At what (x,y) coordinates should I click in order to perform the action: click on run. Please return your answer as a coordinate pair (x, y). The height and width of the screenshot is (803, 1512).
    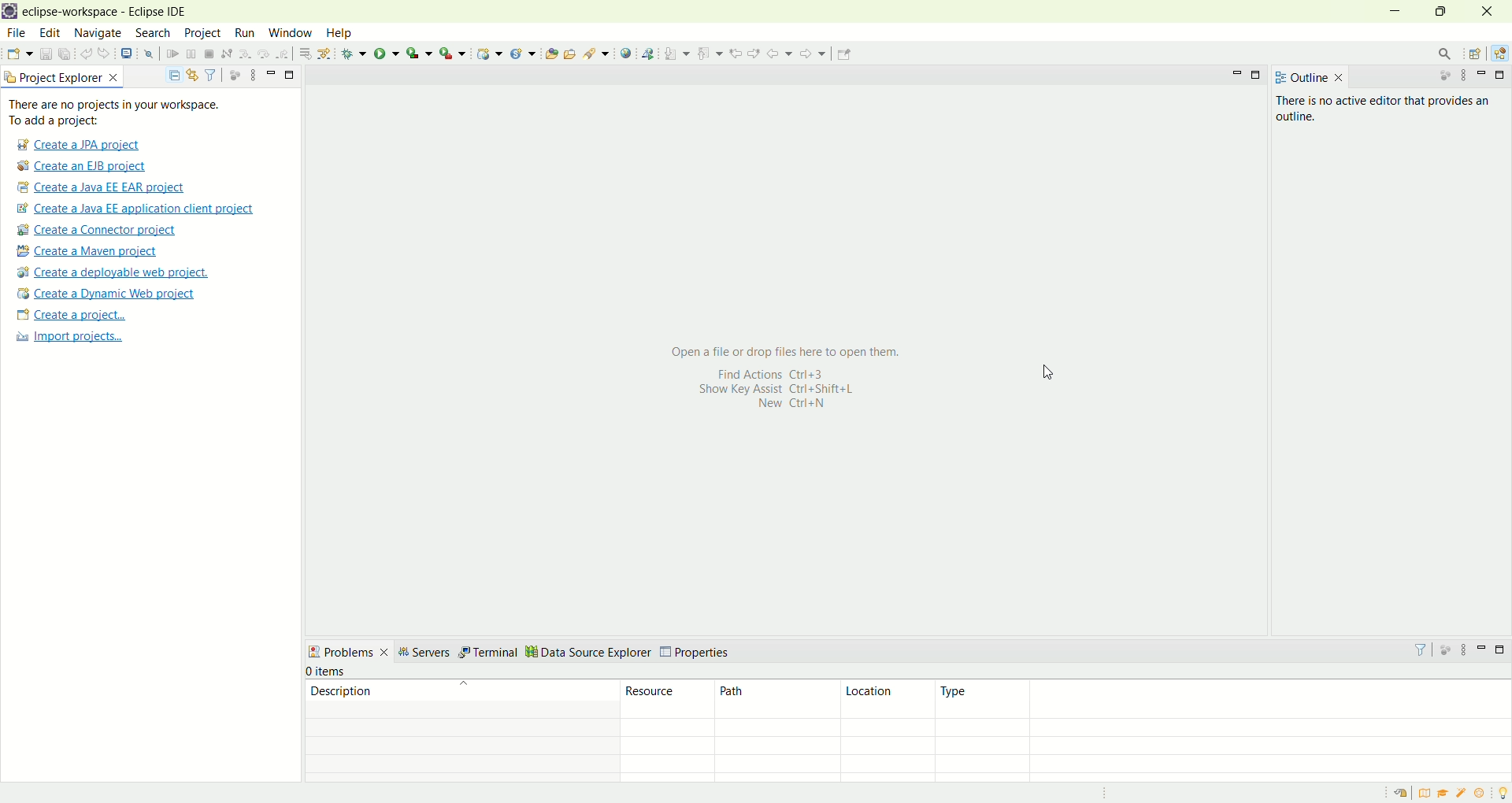
    Looking at the image, I should click on (243, 31).